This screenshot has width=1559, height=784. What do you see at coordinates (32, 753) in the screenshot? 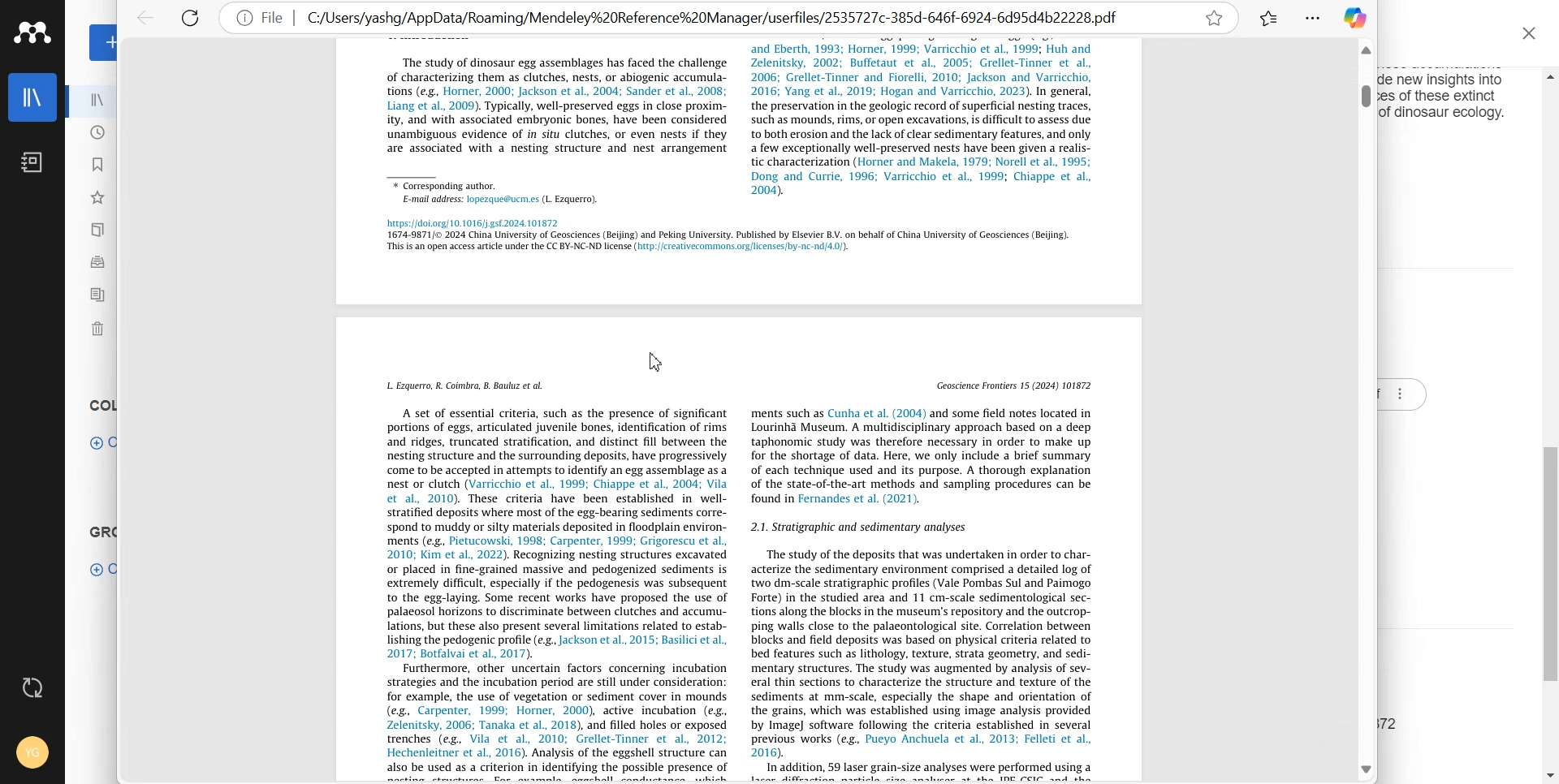
I see `Account` at bounding box center [32, 753].